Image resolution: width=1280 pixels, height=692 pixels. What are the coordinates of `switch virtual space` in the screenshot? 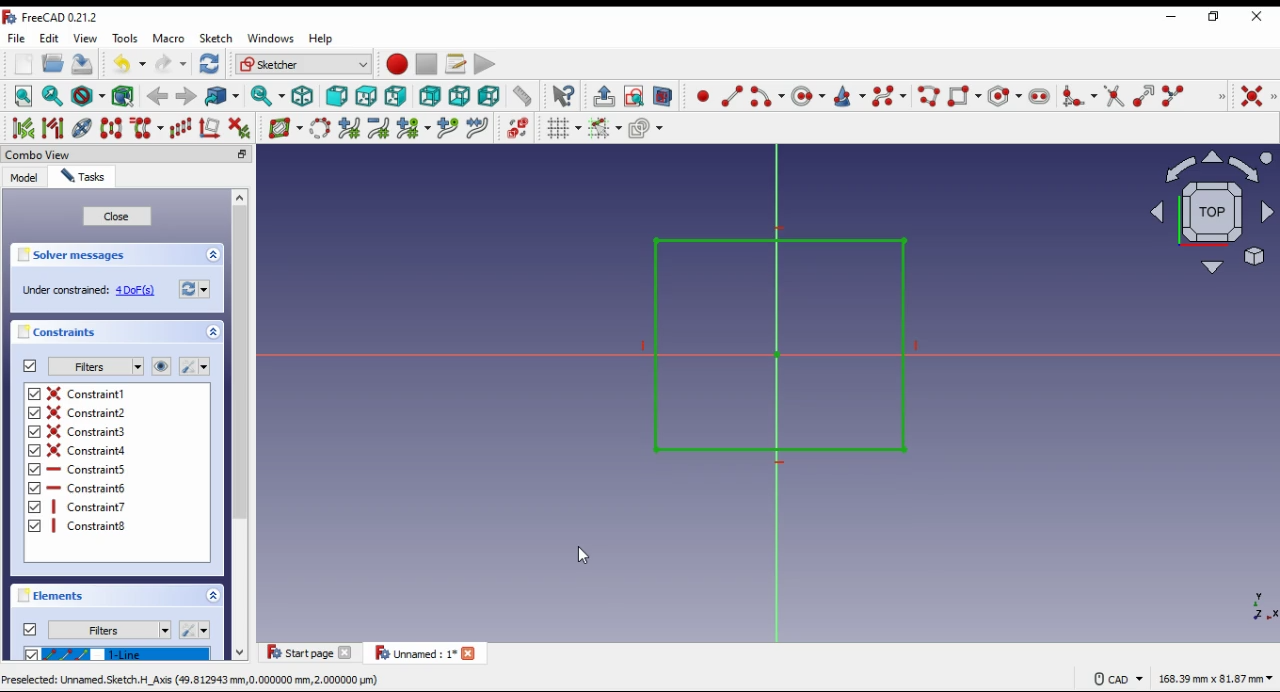 It's located at (517, 128).